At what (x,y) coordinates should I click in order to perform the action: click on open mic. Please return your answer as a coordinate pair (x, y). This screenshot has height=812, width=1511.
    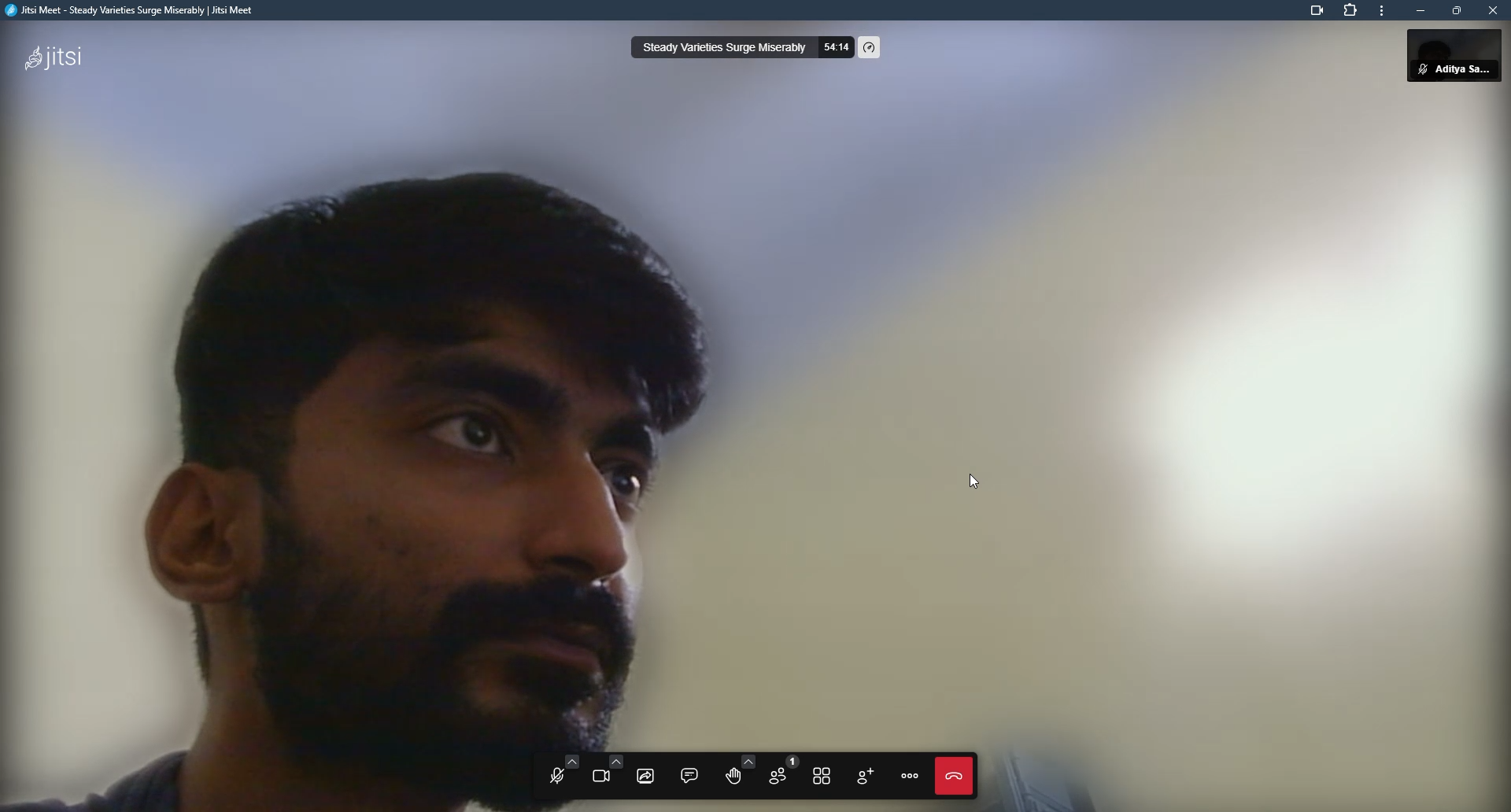
    Looking at the image, I should click on (557, 775).